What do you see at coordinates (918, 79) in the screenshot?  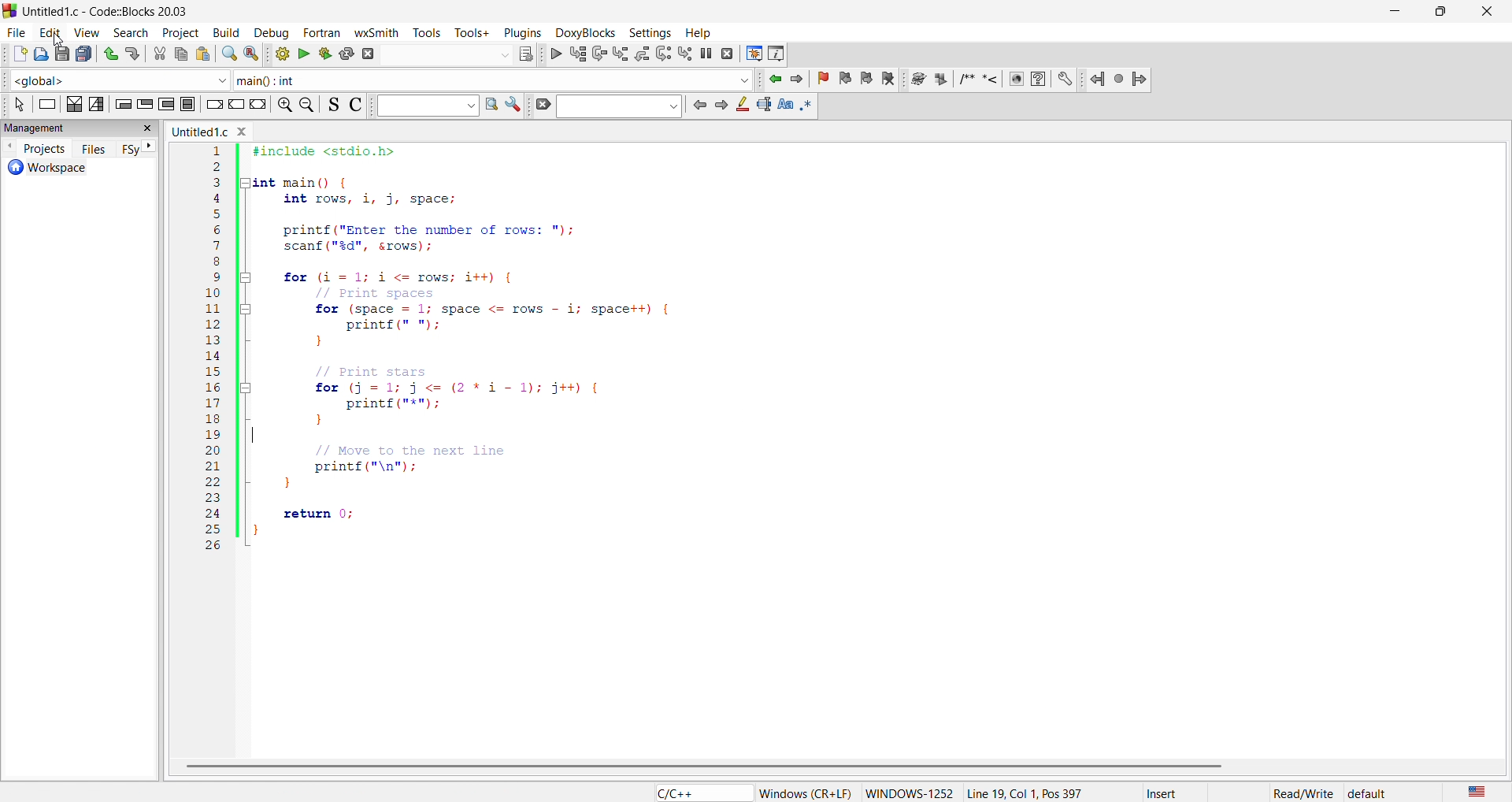 I see `run doxy wizard` at bounding box center [918, 79].